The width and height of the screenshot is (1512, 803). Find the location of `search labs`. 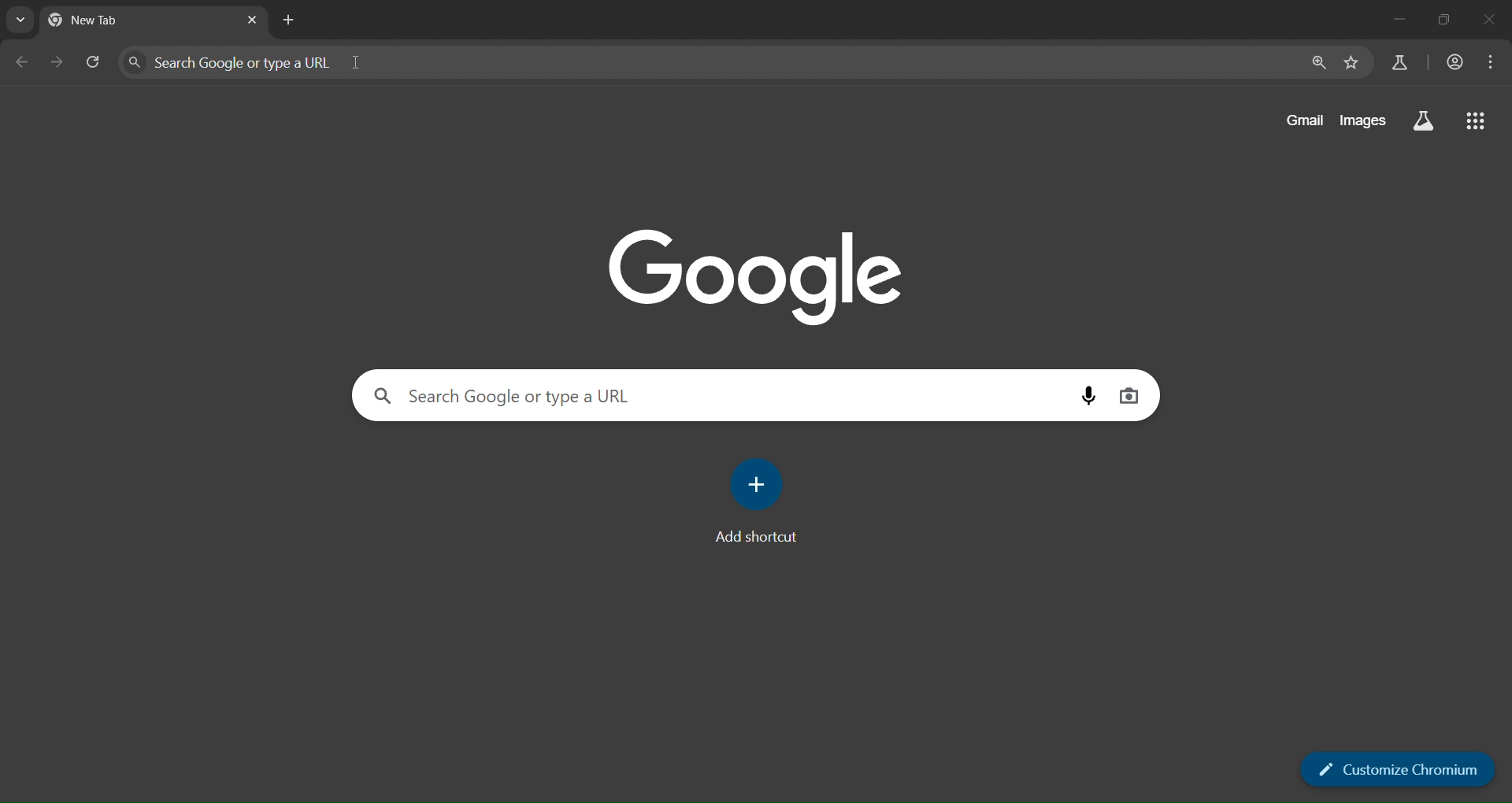

search labs is located at coordinates (1426, 121).